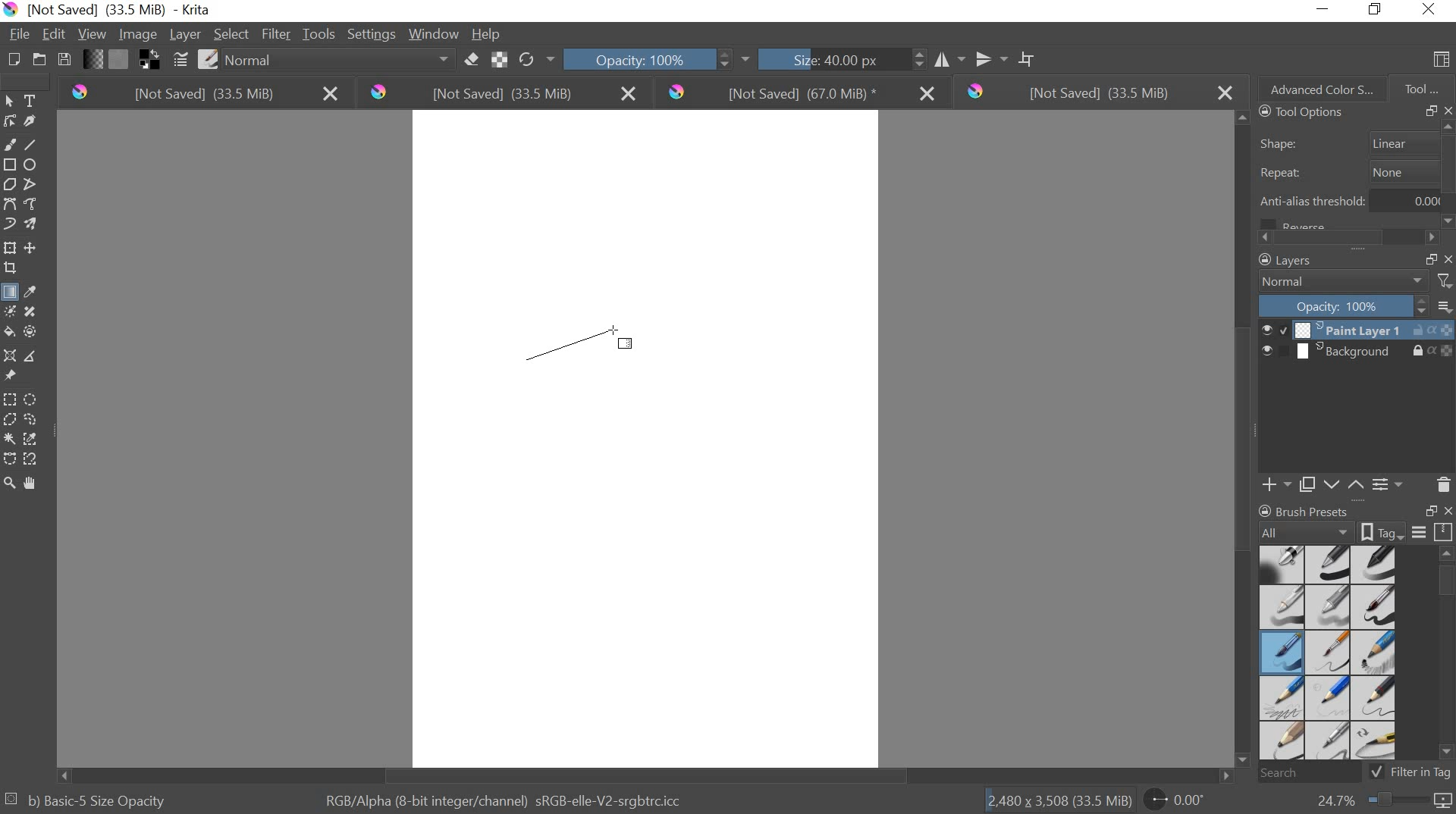 This screenshot has height=814, width=1456. Describe the element at coordinates (319, 33) in the screenshot. I see `TOOLS` at that location.